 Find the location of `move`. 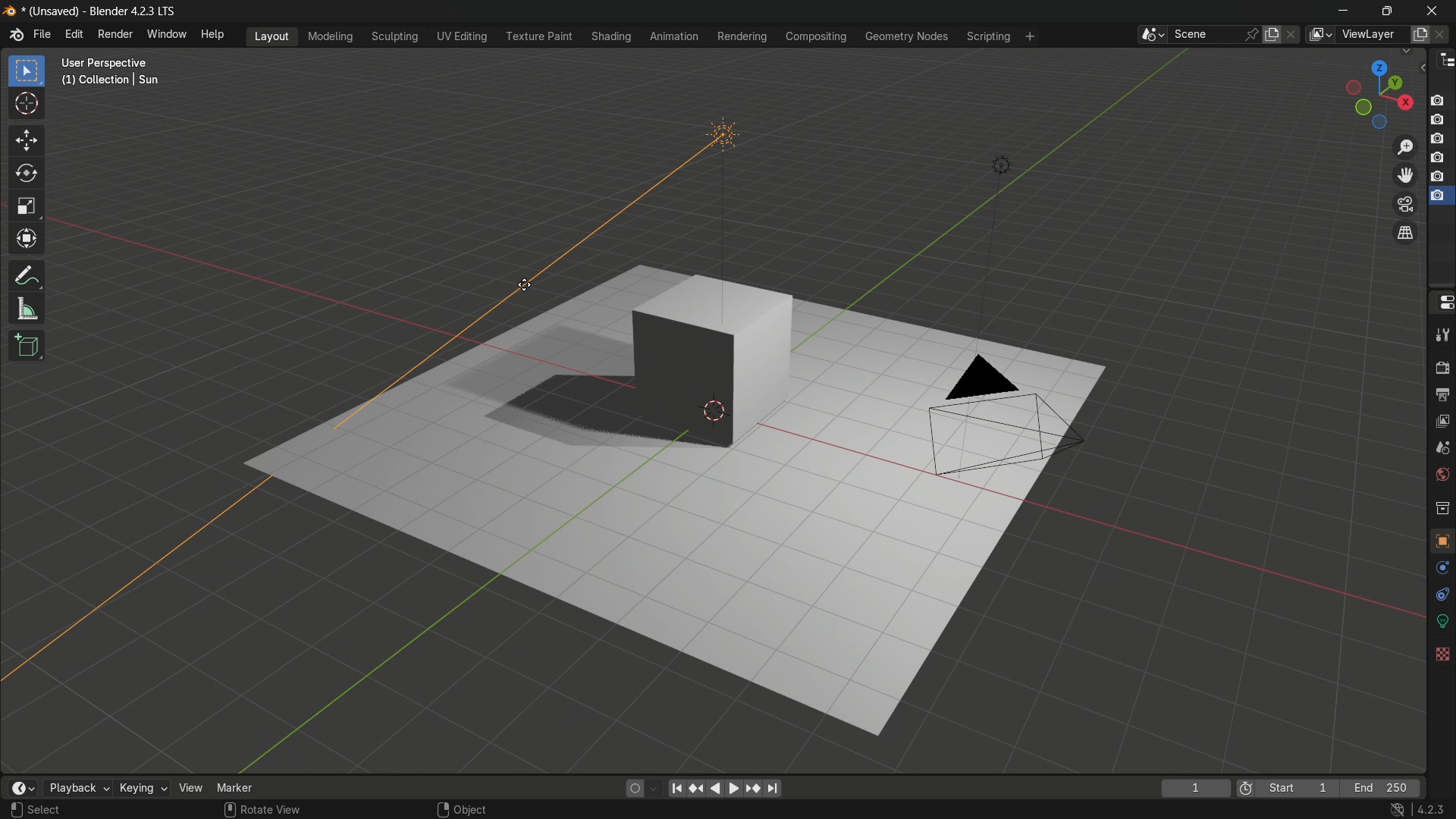

move is located at coordinates (28, 142).